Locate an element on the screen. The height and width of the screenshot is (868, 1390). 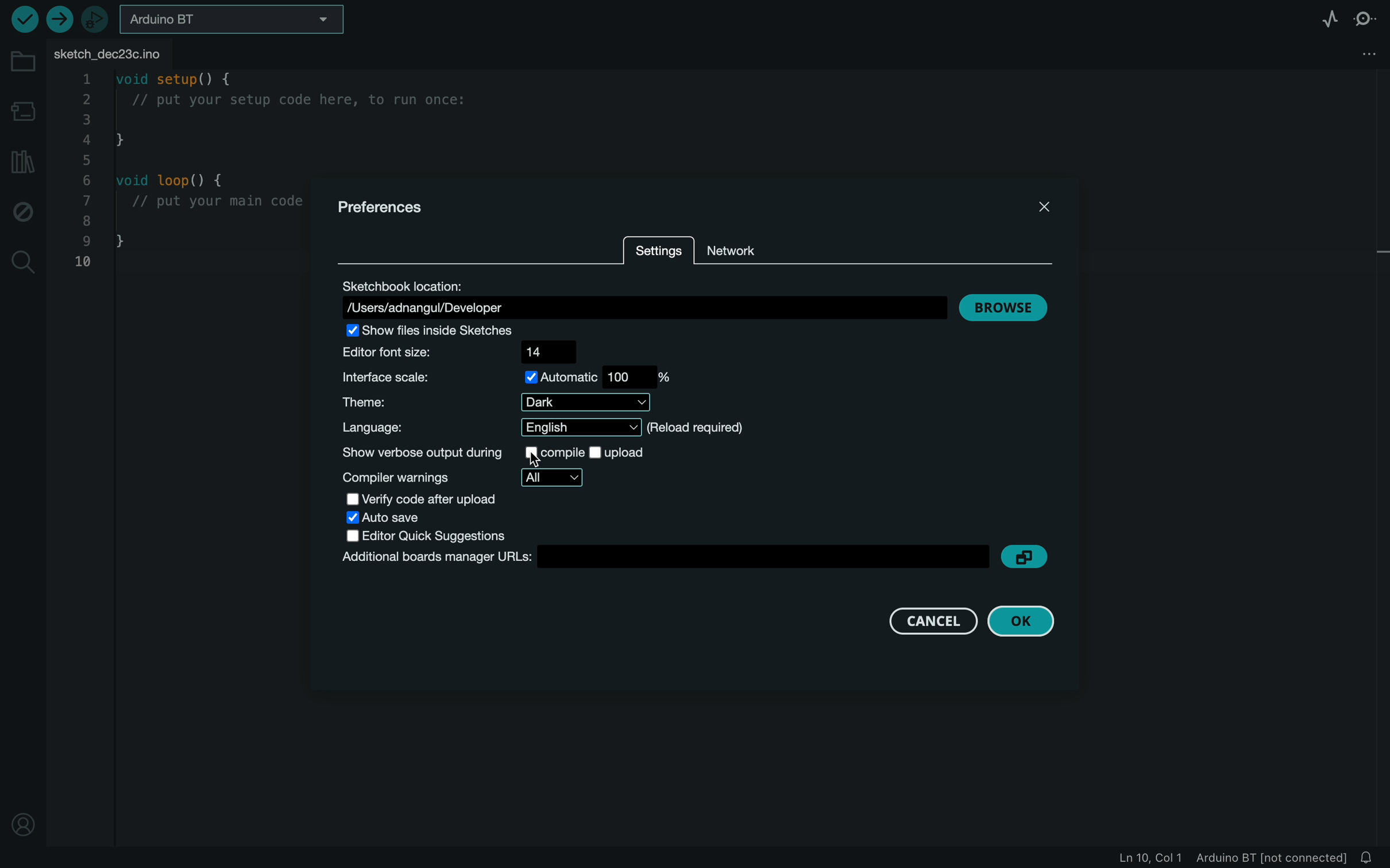
debugger is located at coordinates (96, 19).